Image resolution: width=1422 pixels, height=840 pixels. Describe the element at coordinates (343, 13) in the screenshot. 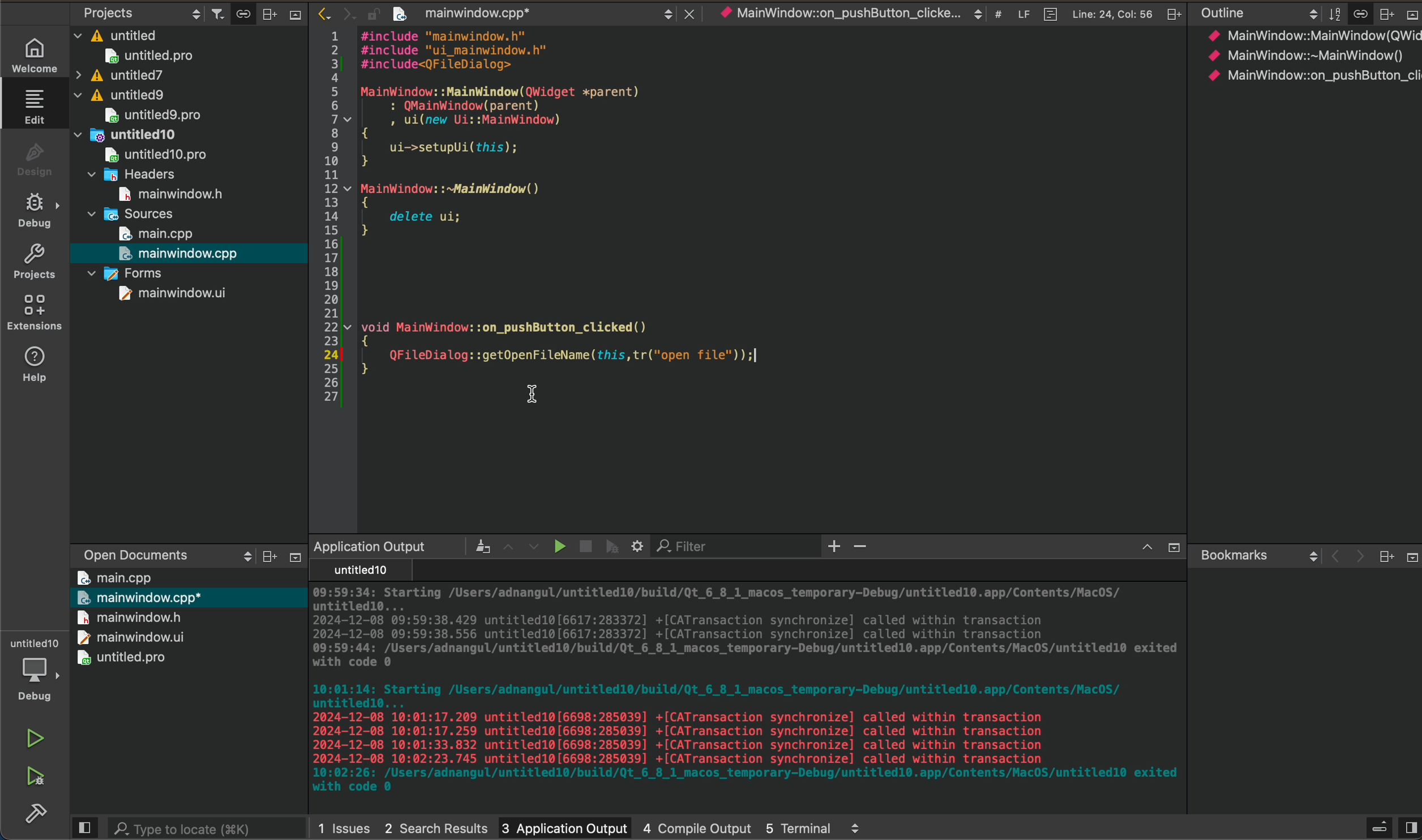

I see `forward` at that location.